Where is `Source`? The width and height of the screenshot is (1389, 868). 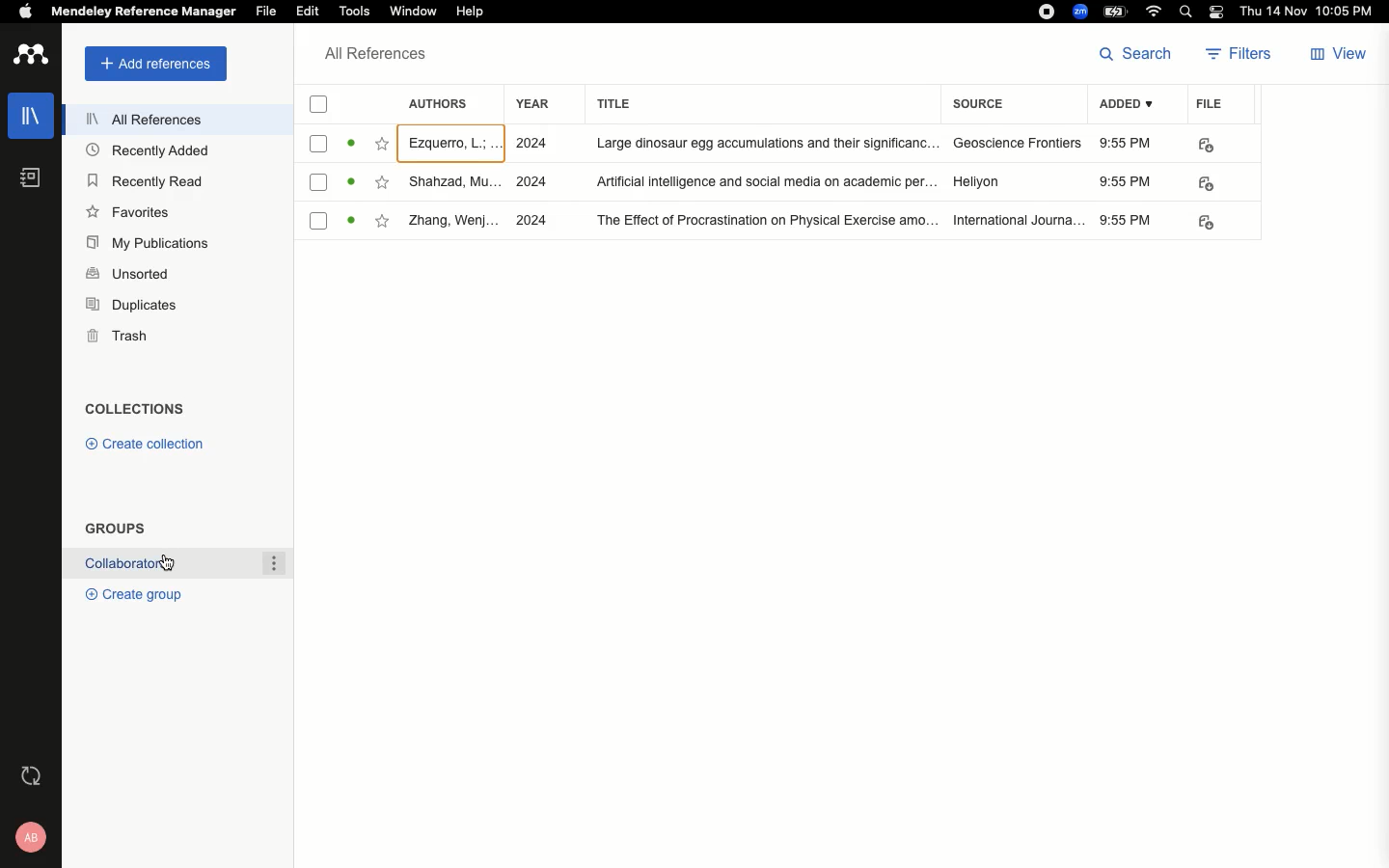 Source is located at coordinates (986, 103).